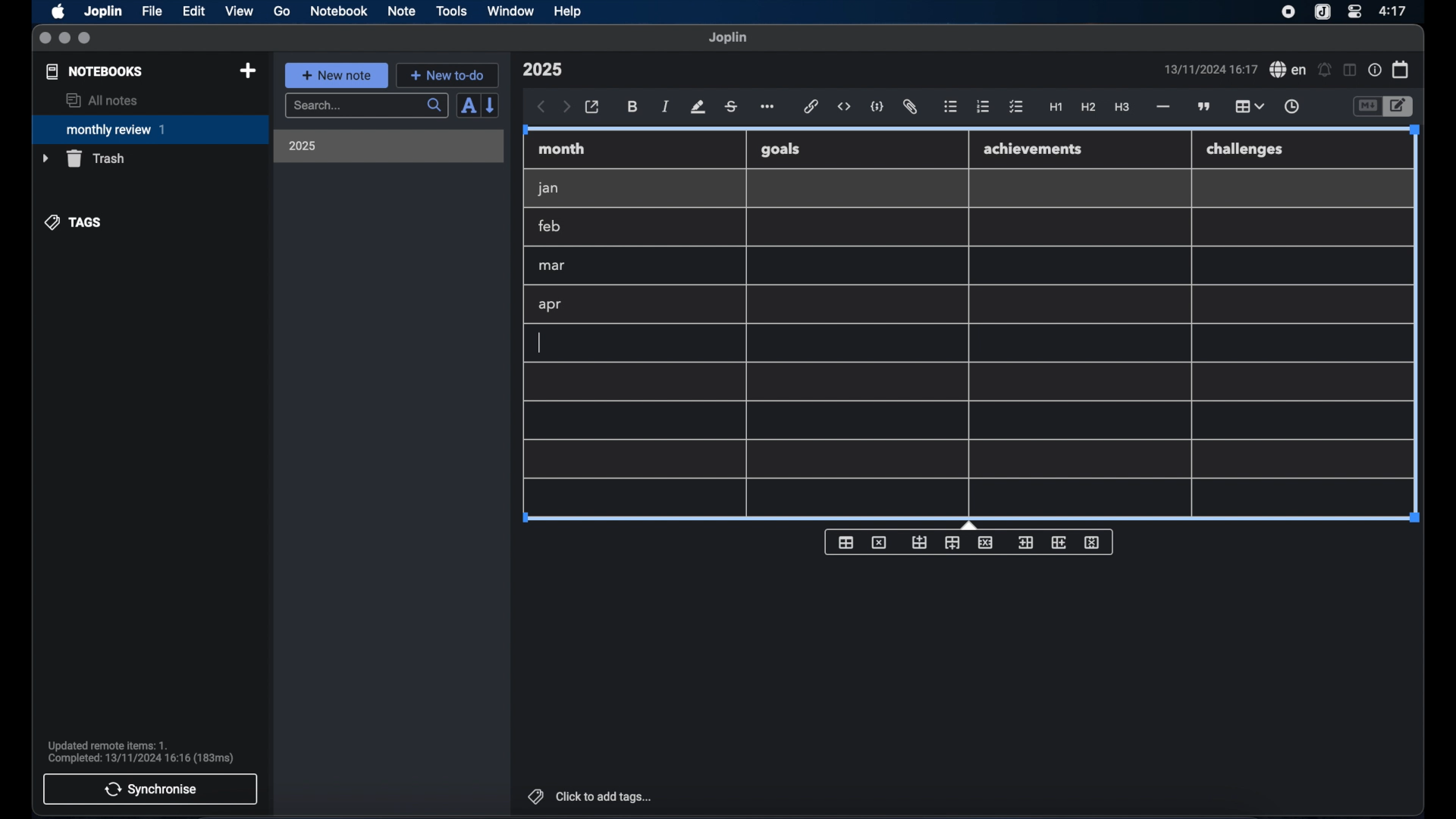 The height and width of the screenshot is (819, 1456). What do you see at coordinates (303, 146) in the screenshot?
I see `2025` at bounding box center [303, 146].